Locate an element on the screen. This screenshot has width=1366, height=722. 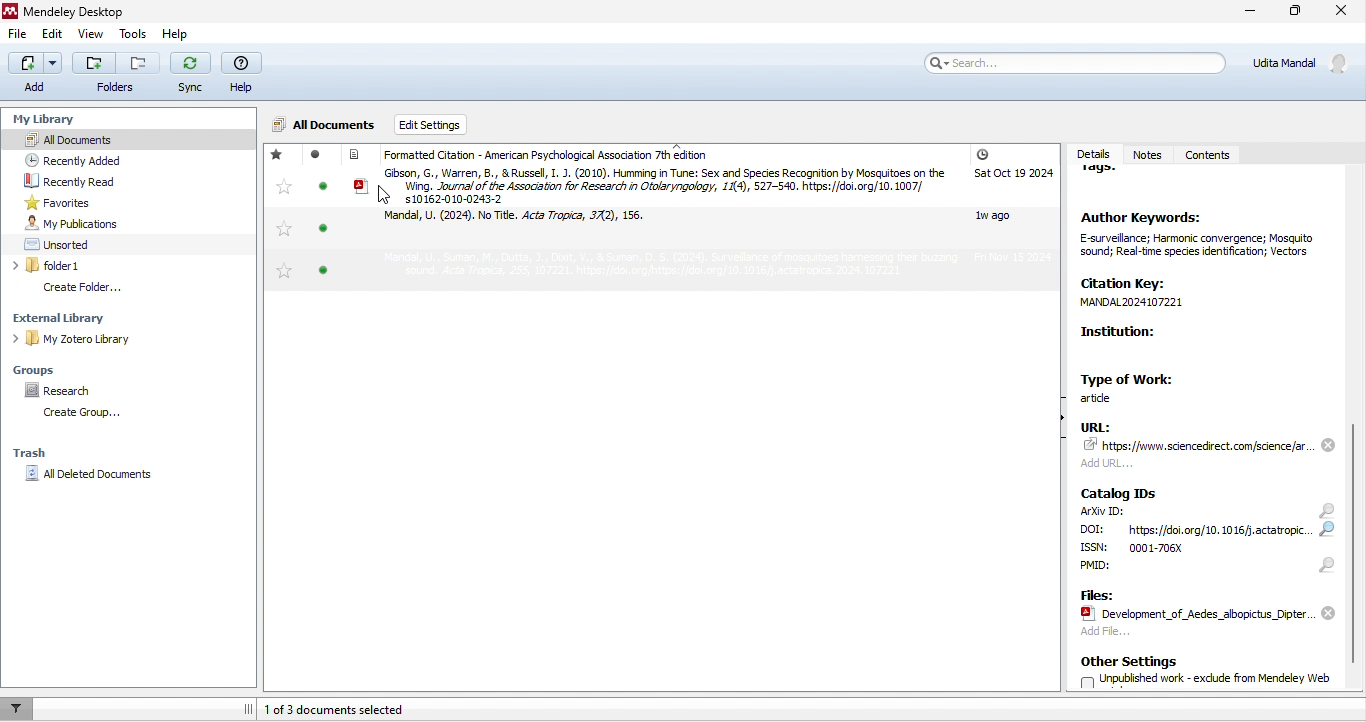
my publication is located at coordinates (94, 223).